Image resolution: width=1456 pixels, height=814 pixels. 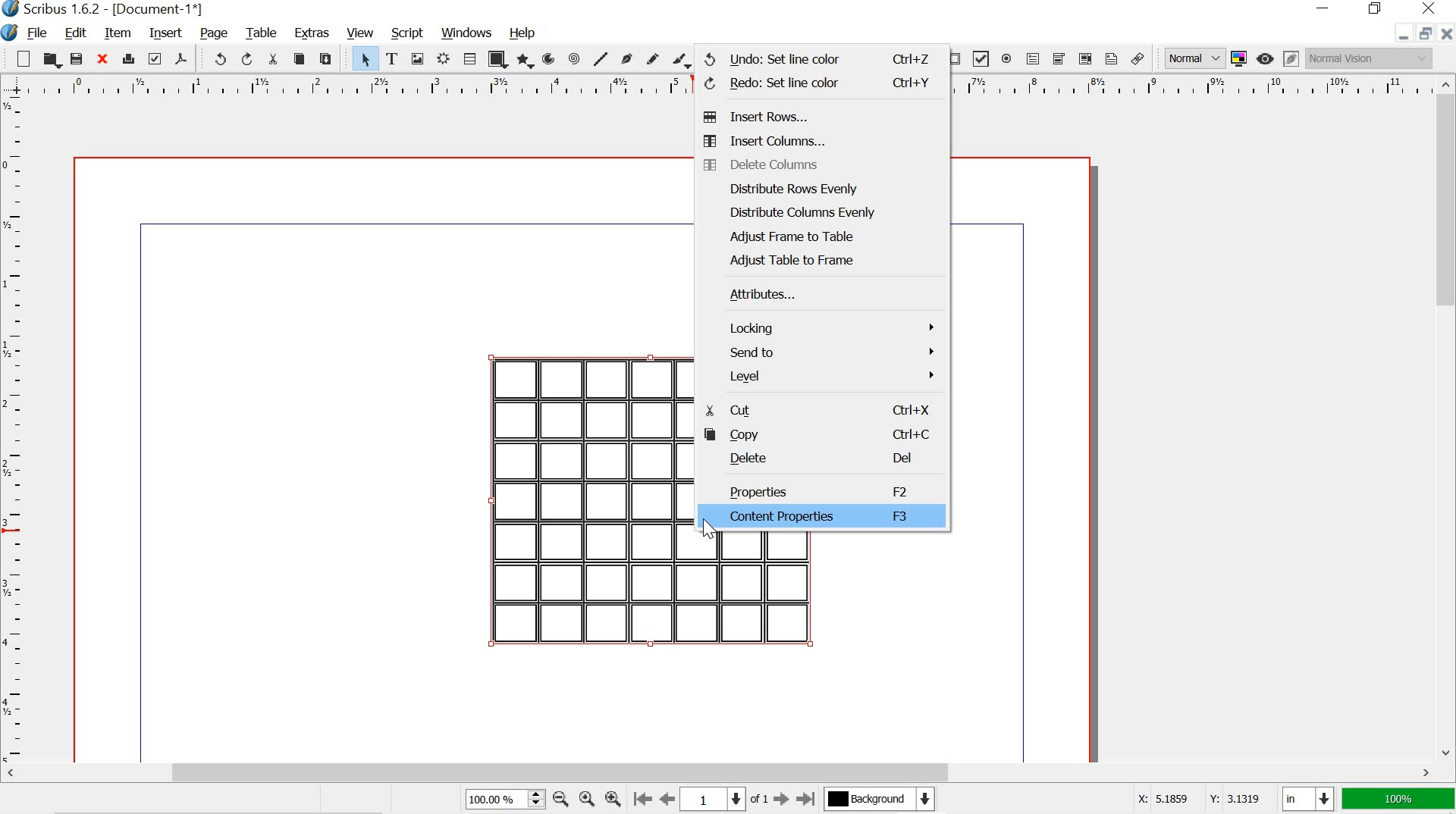 What do you see at coordinates (732, 800) in the screenshot?
I see `page numbers` at bounding box center [732, 800].